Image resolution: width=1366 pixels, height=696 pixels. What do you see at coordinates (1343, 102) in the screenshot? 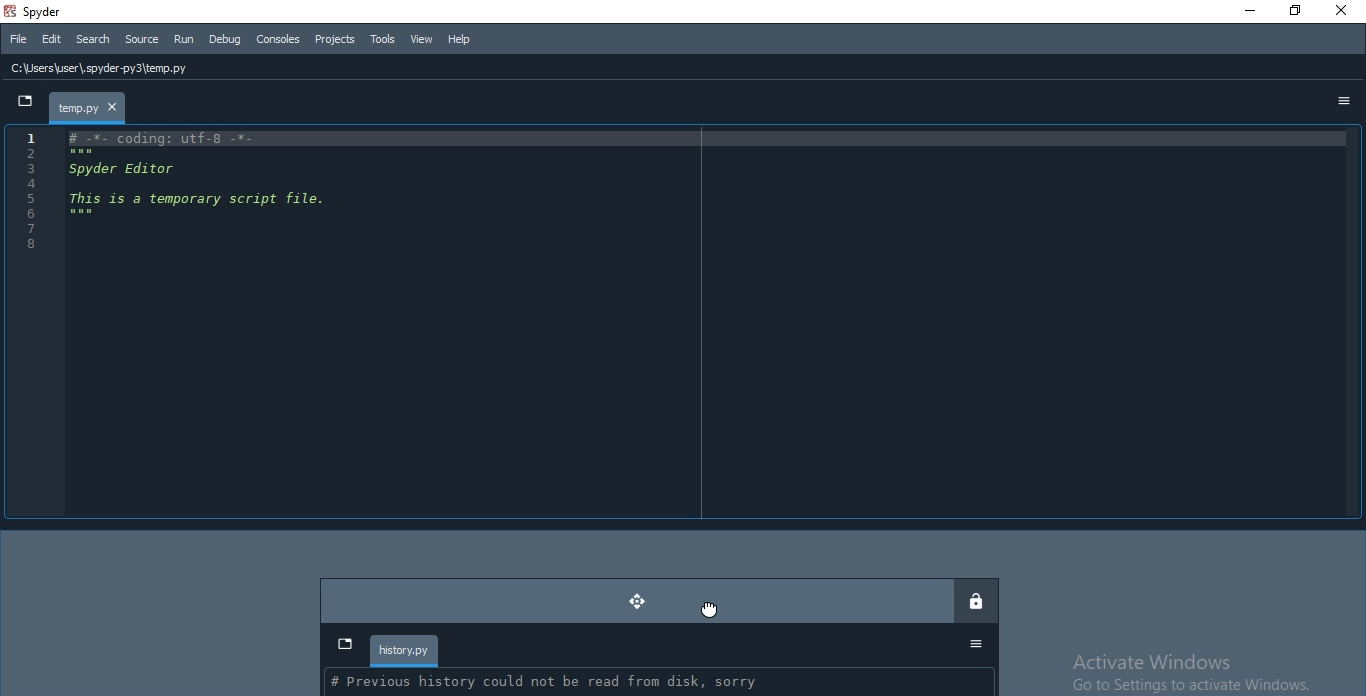
I see `options` at bounding box center [1343, 102].